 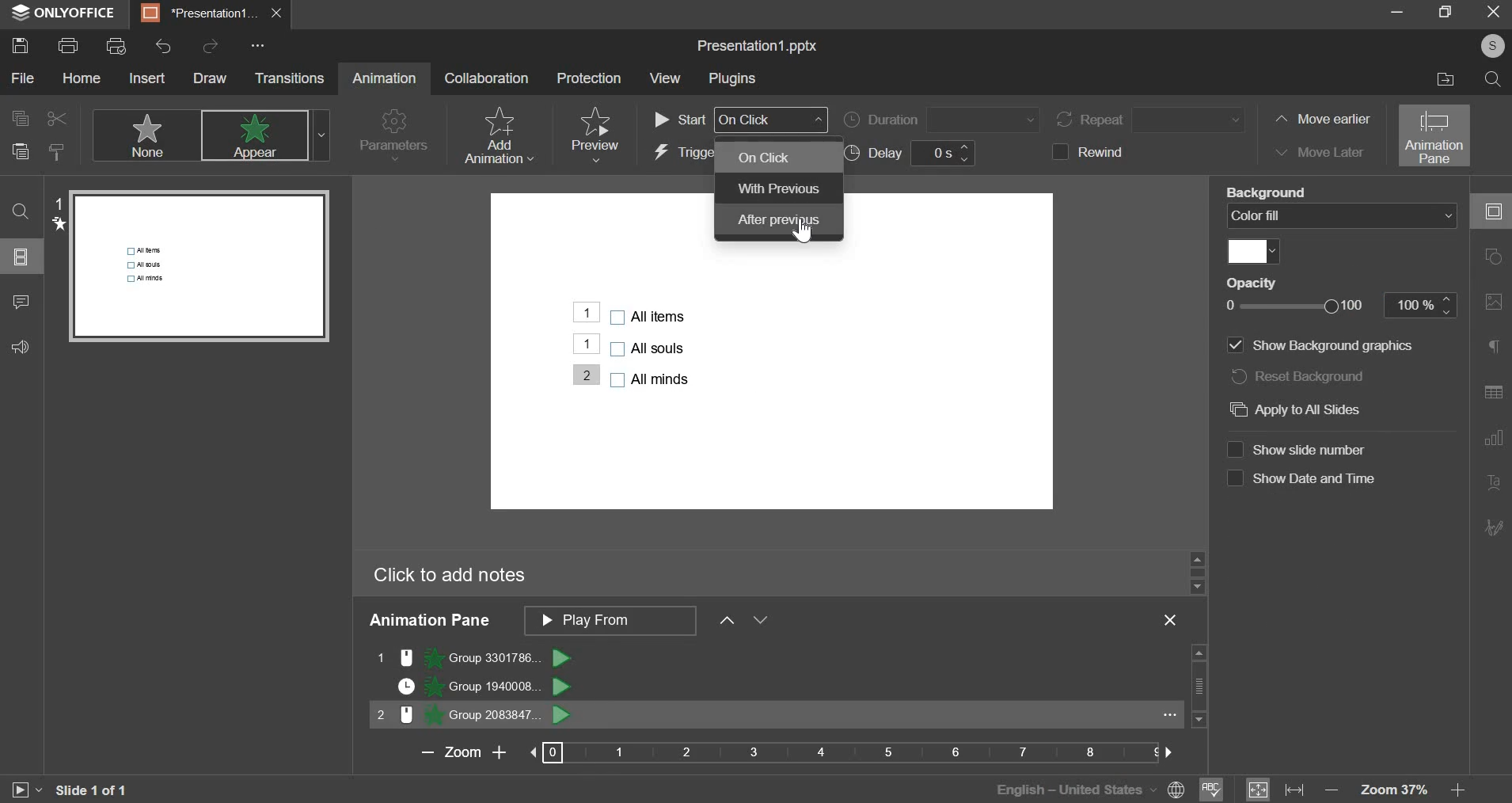 What do you see at coordinates (1084, 788) in the screenshot?
I see `English - united states` at bounding box center [1084, 788].